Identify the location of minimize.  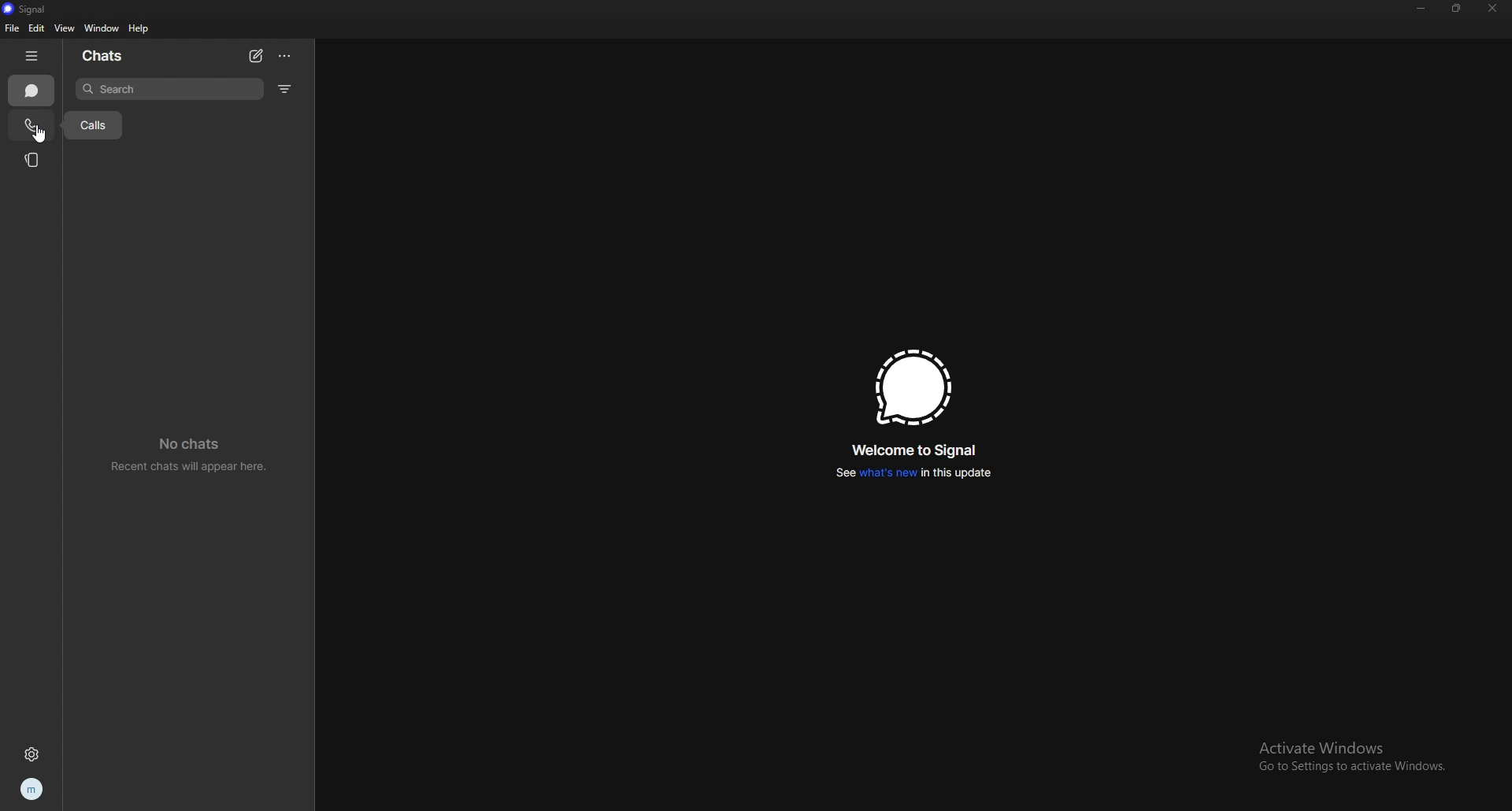
(1421, 8).